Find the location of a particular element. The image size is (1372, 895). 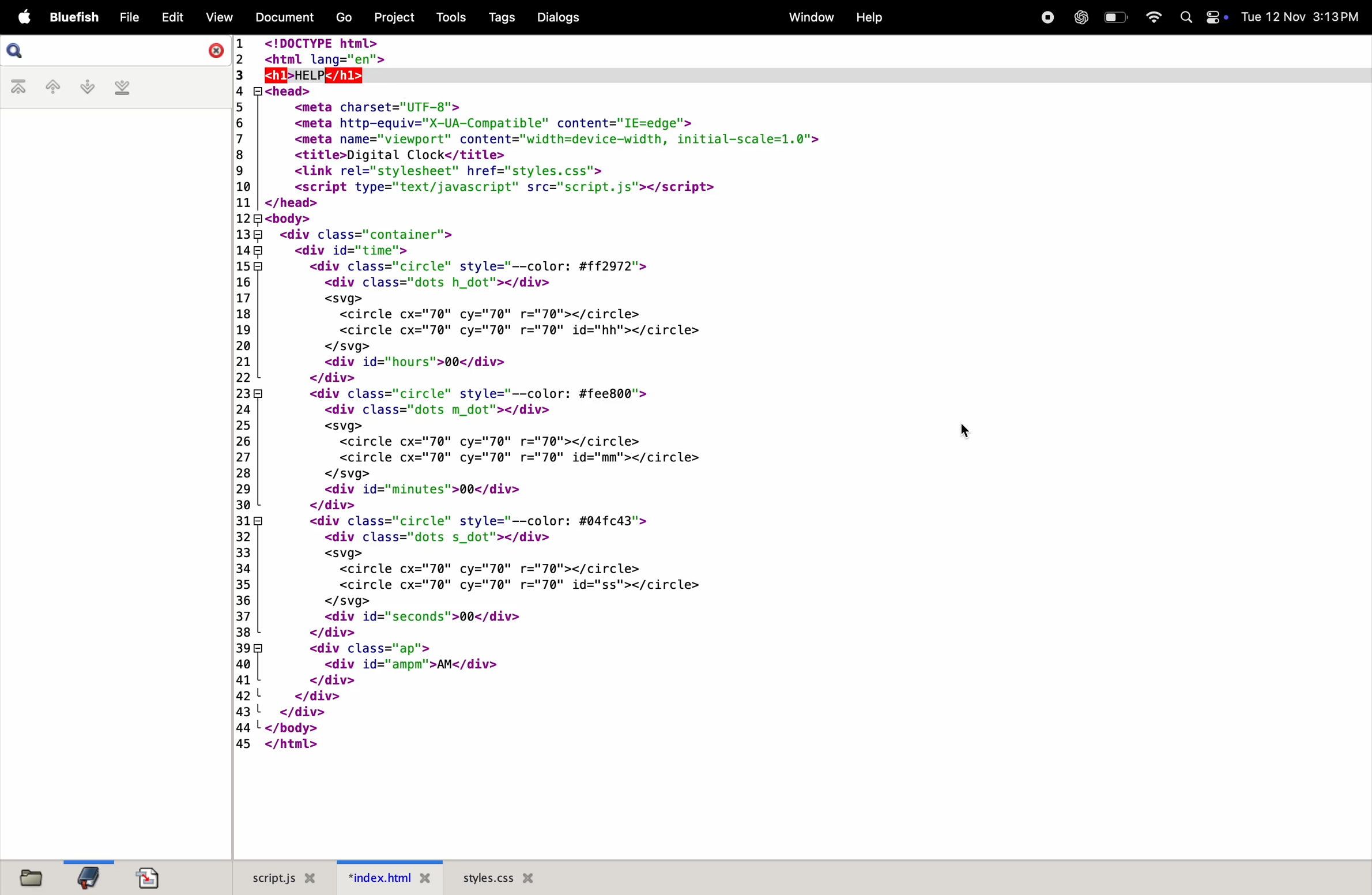

new file is located at coordinates (27, 876).